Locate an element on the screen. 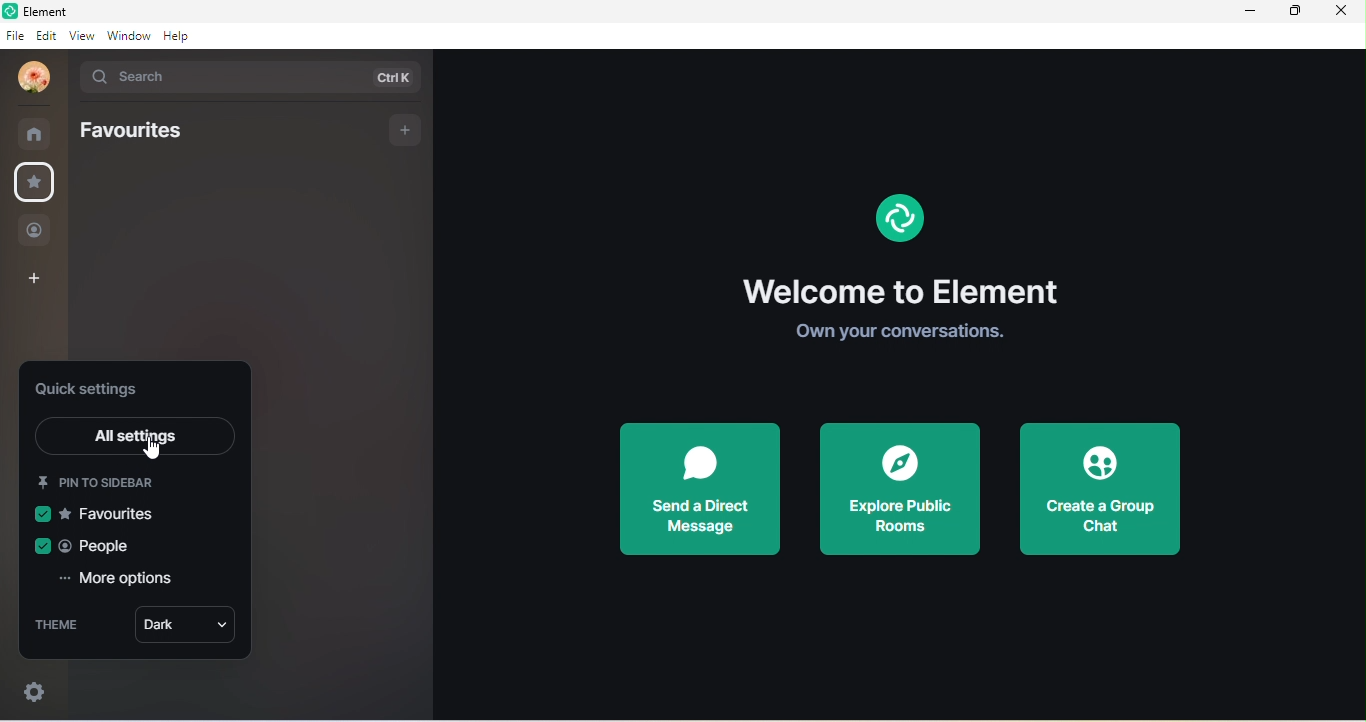 The width and height of the screenshot is (1366, 722). more options is located at coordinates (124, 578).